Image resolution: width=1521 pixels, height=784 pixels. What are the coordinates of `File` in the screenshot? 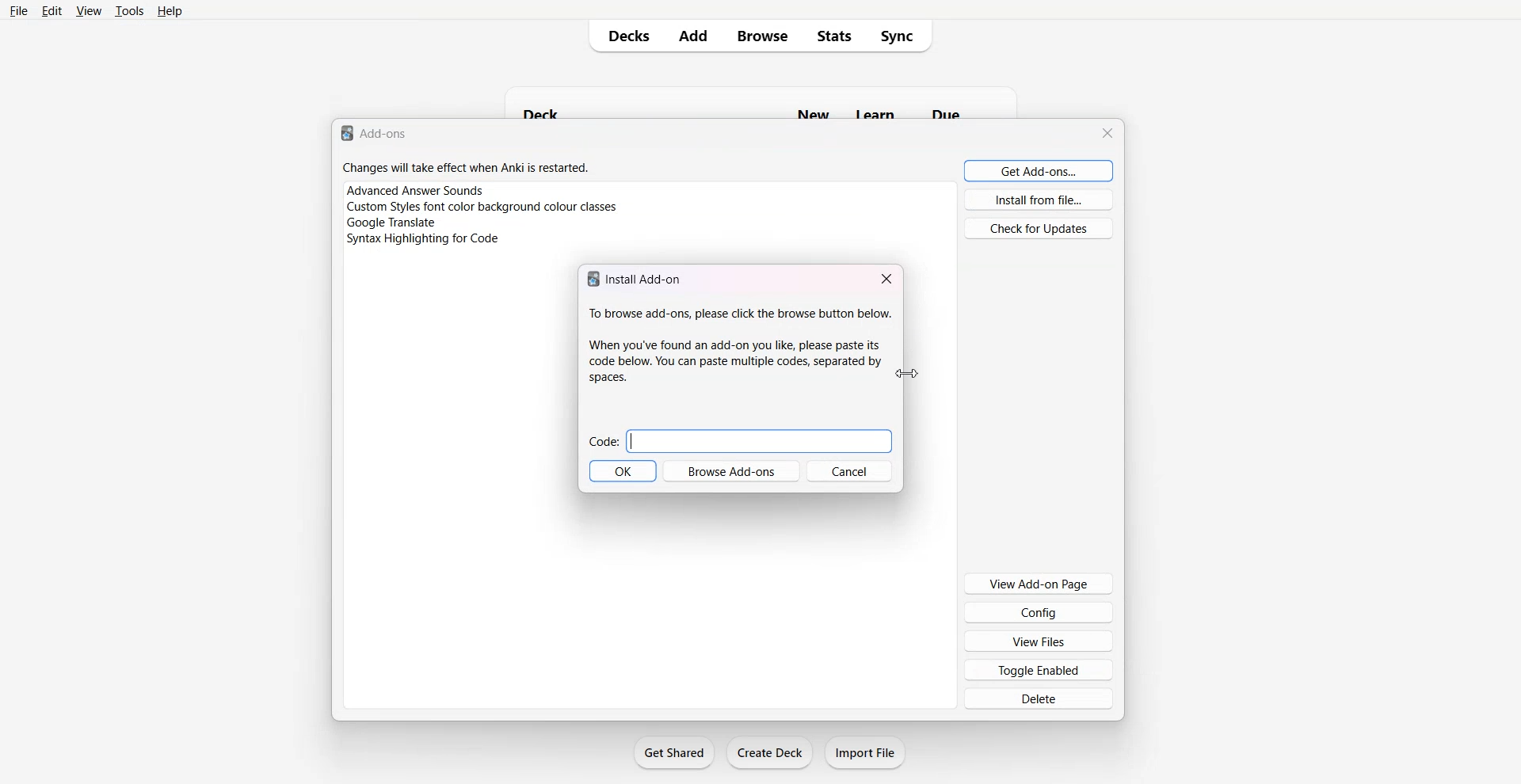 It's located at (19, 11).